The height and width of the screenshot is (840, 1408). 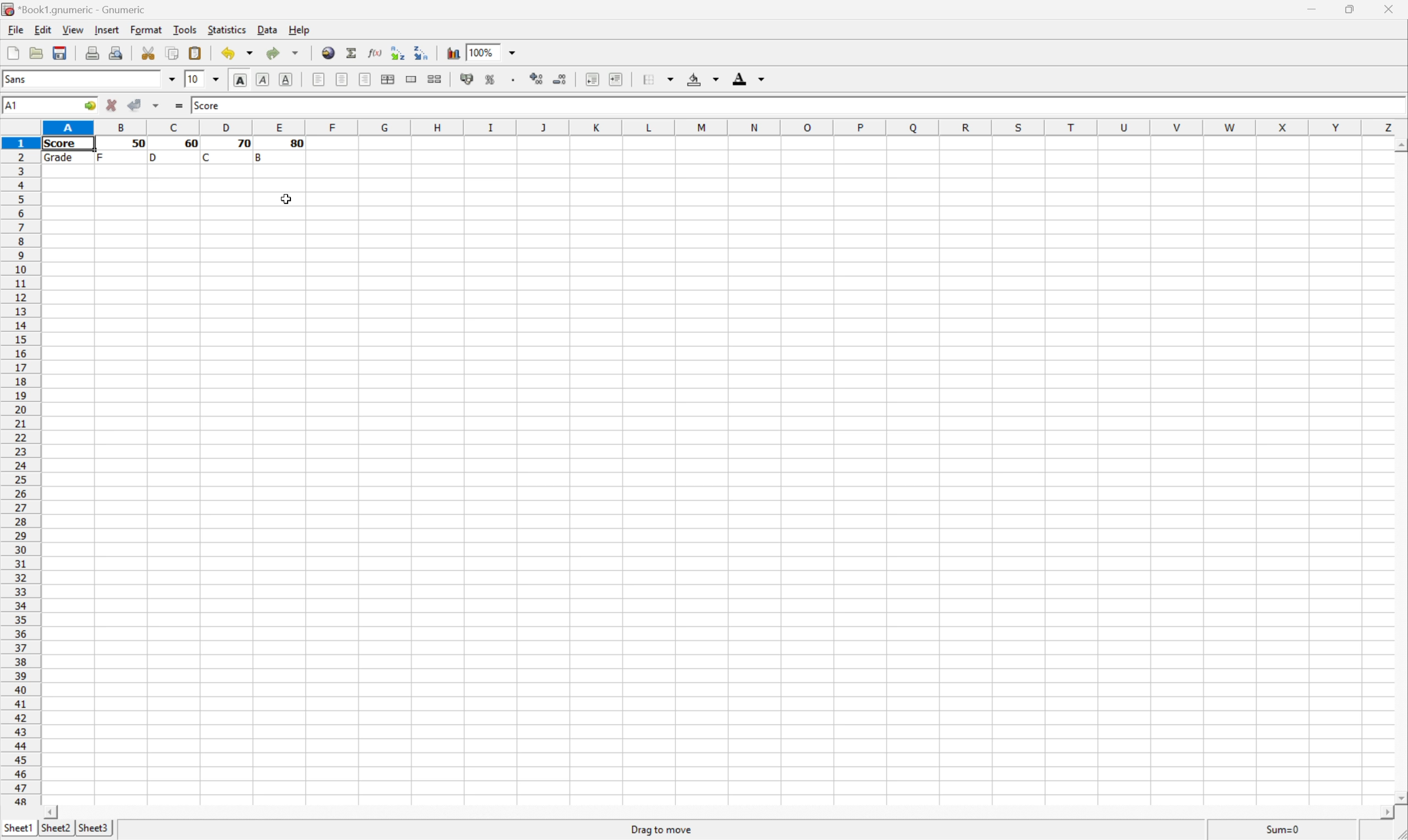 I want to click on Go to, so click(x=88, y=105).